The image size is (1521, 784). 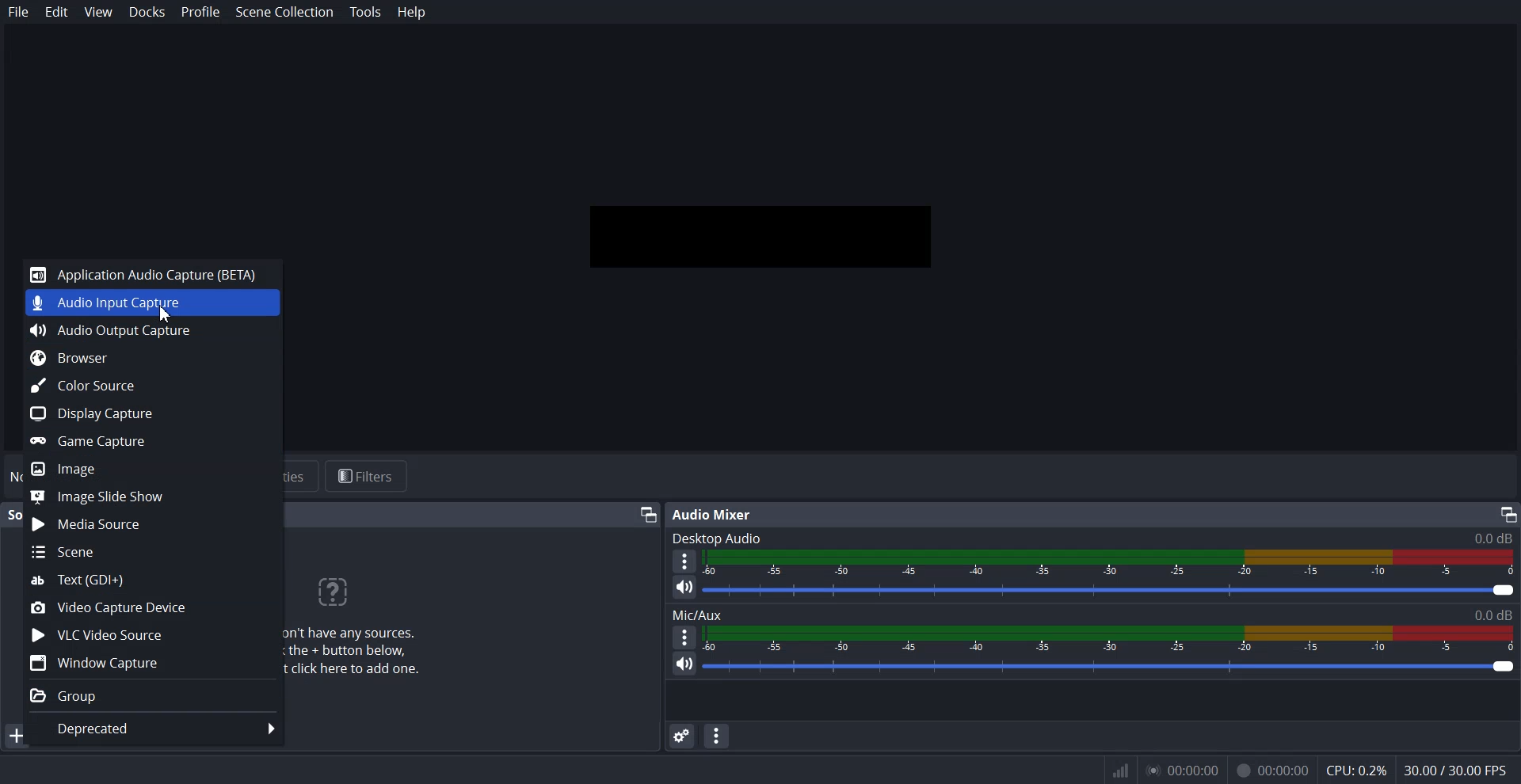 I want to click on Maximize, so click(x=1508, y=514).